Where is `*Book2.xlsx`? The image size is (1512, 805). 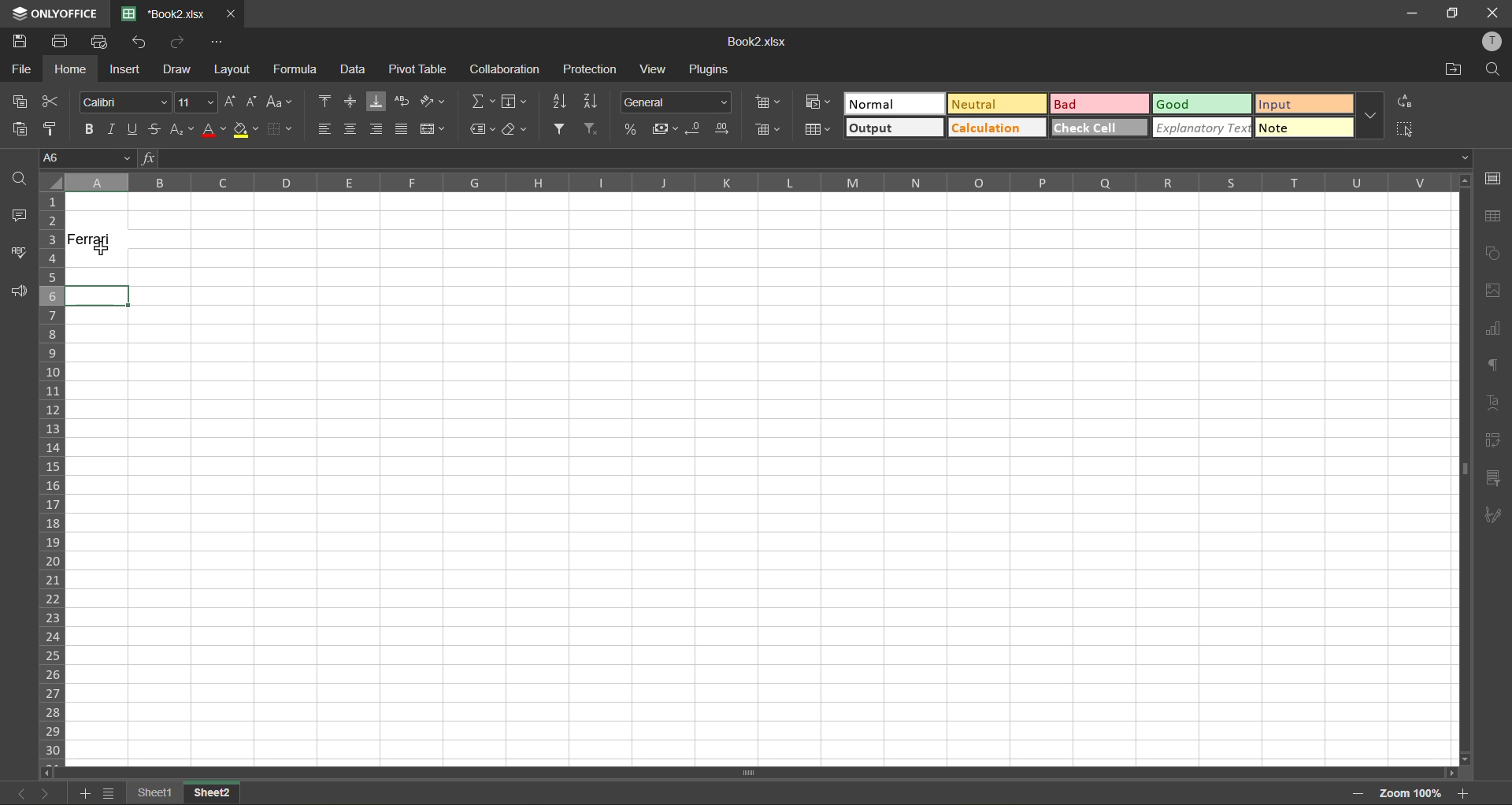 *Book2.xlsx is located at coordinates (170, 12).